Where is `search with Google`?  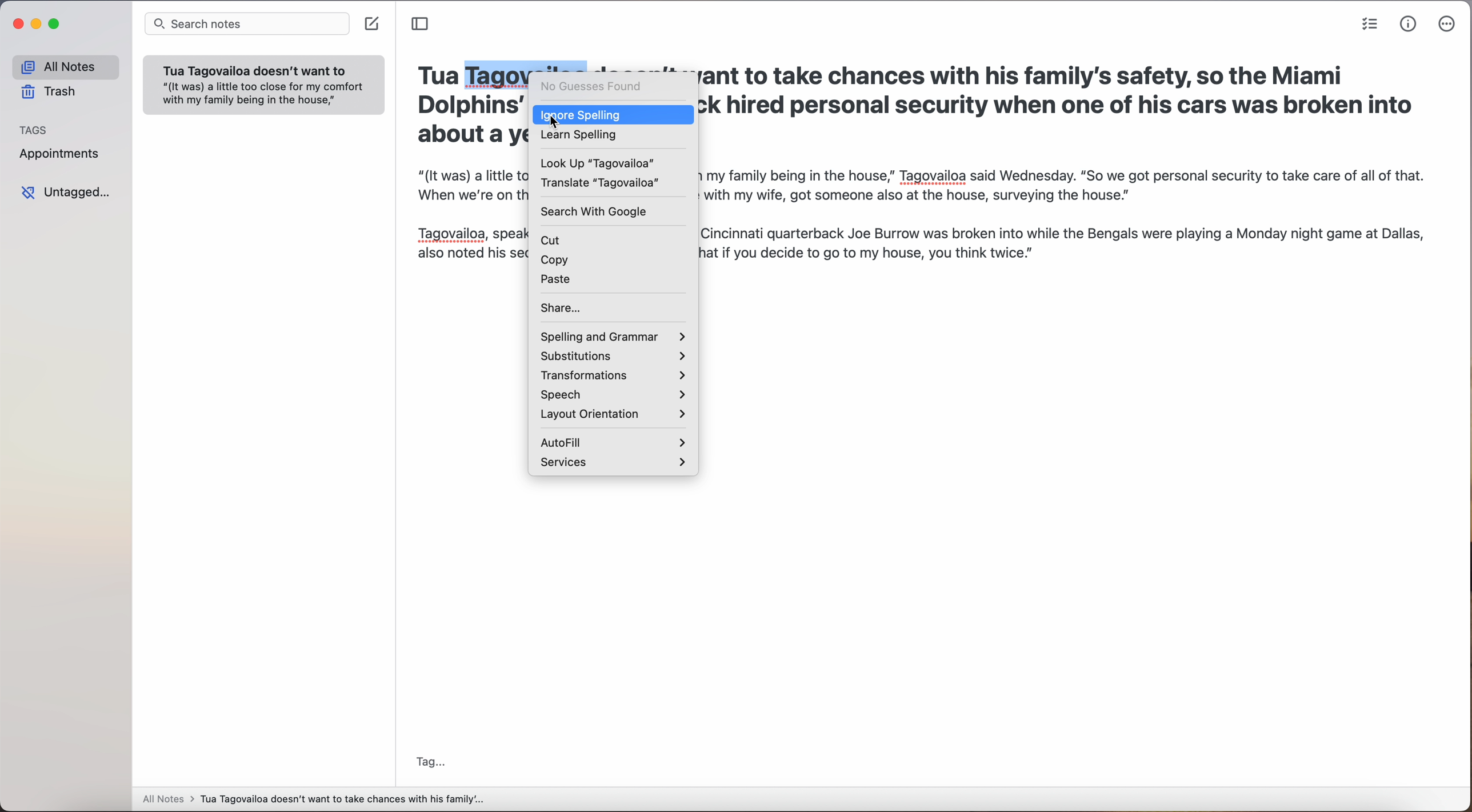 search with Google is located at coordinates (598, 210).